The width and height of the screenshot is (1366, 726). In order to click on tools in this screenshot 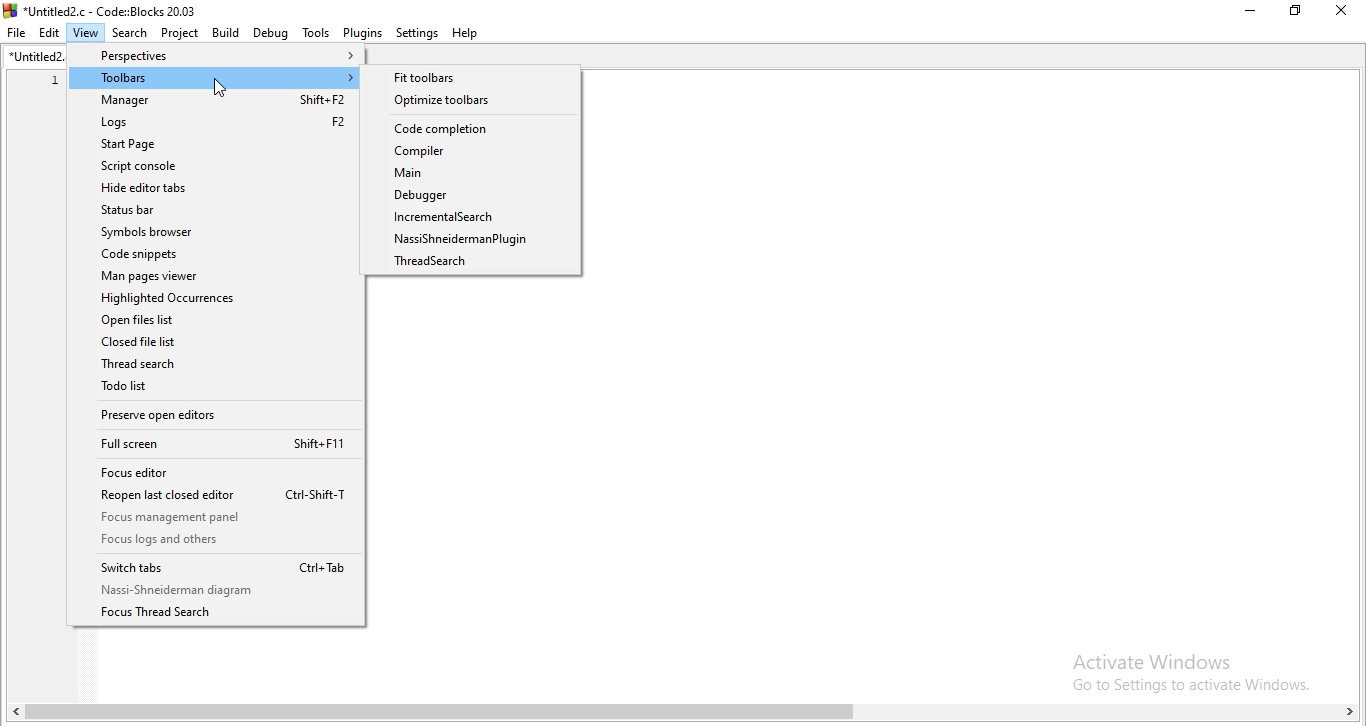, I will do `click(315, 31)`.